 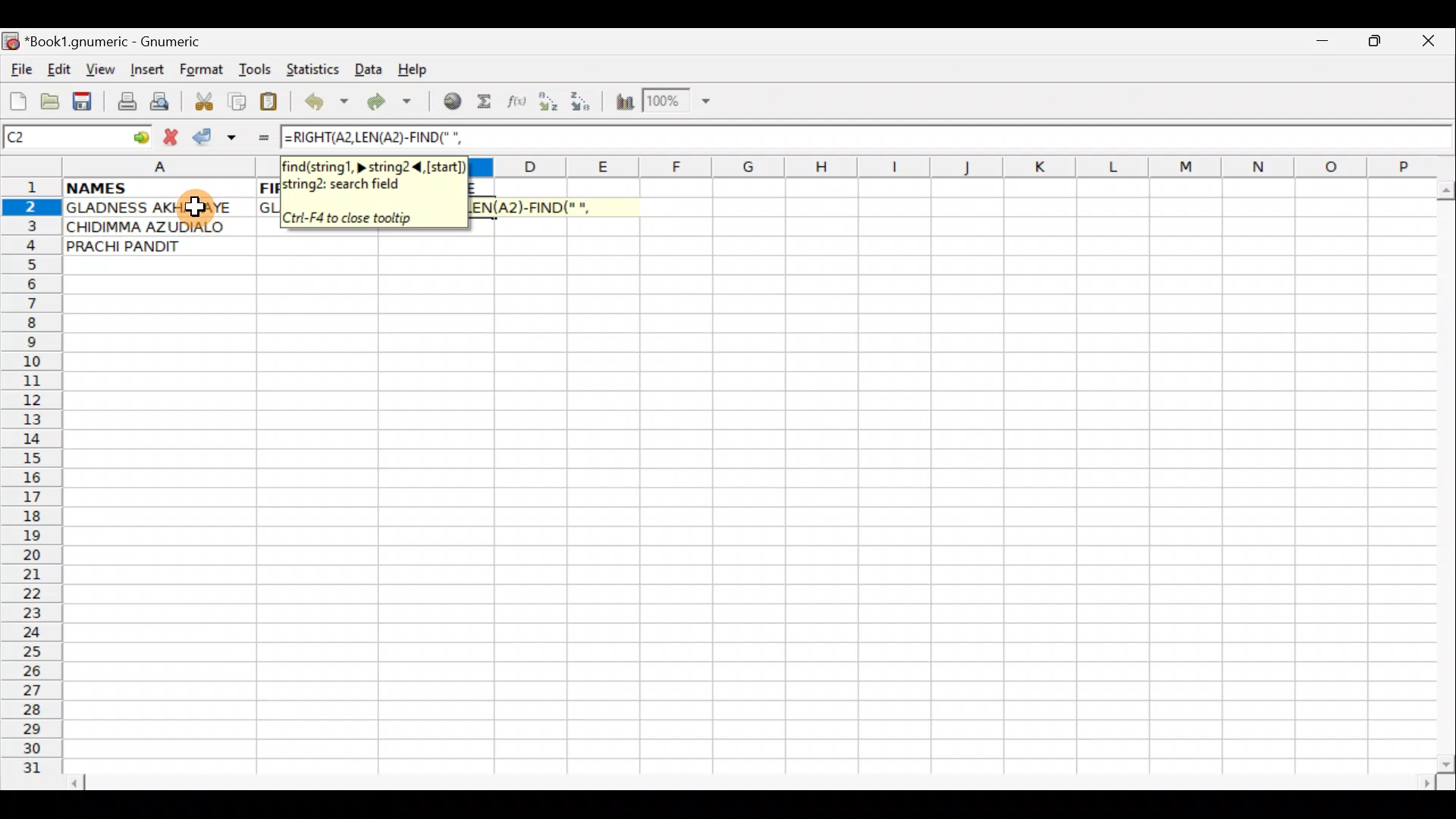 I want to click on Open a file, so click(x=53, y=99).